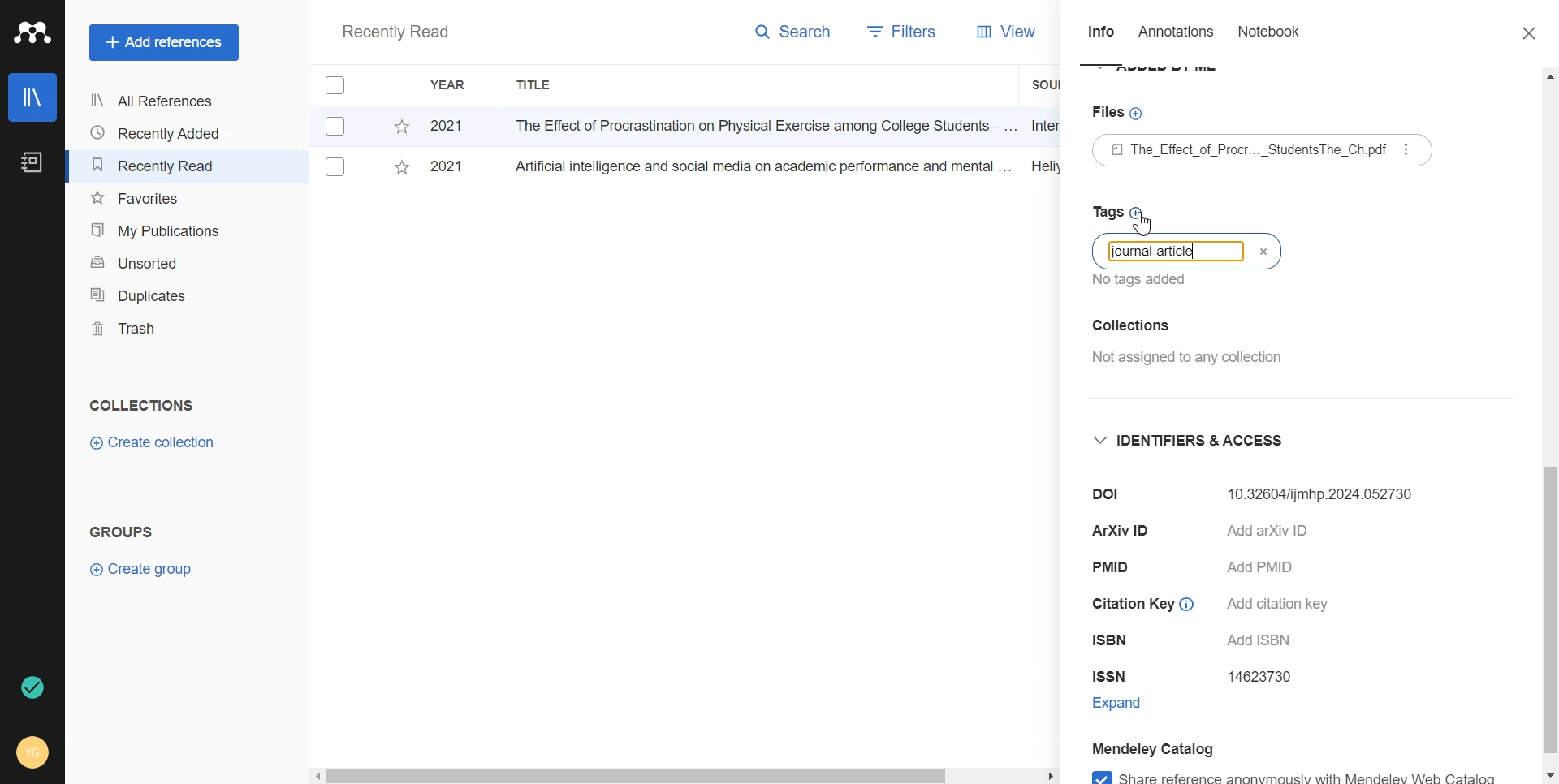 This screenshot has height=784, width=1559. Describe the element at coordinates (1549, 426) in the screenshot. I see `Vertical scroll bar` at that location.